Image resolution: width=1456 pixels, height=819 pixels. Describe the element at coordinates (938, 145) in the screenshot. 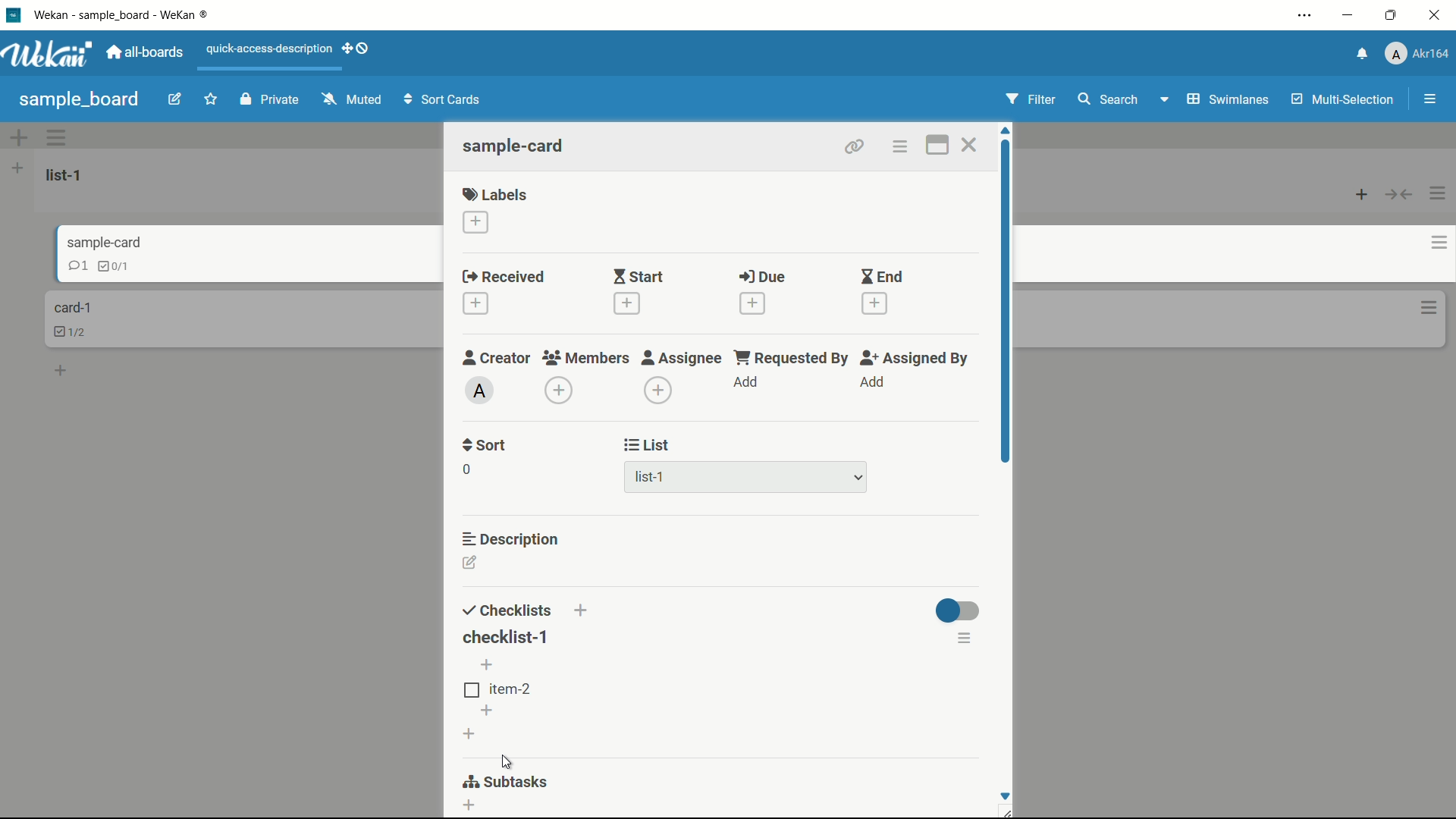

I see `maximize card` at that location.